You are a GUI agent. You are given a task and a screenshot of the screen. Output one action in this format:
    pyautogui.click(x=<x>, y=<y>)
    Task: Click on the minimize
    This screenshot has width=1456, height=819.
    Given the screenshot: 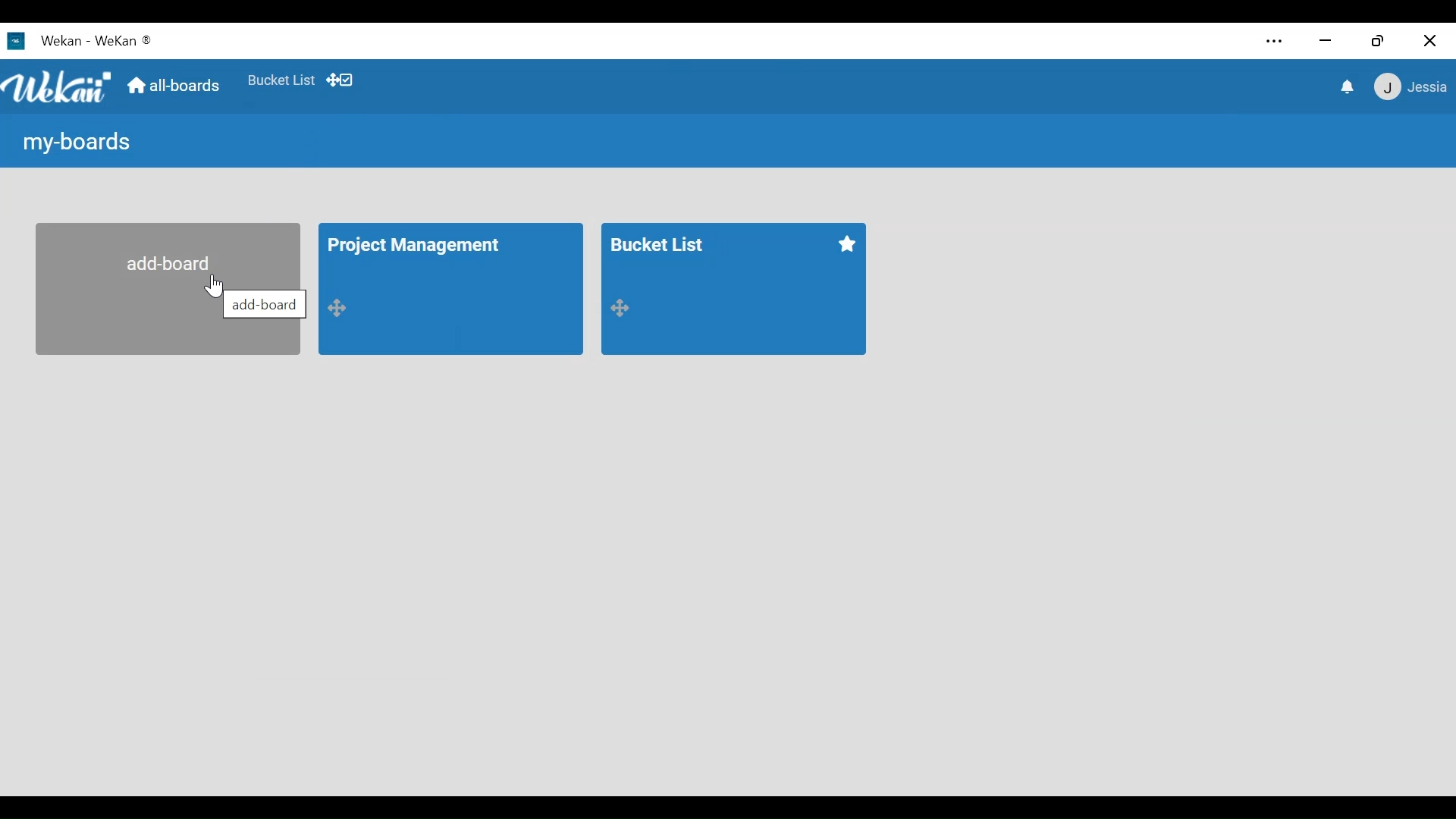 What is the action you would take?
    pyautogui.click(x=1327, y=39)
    